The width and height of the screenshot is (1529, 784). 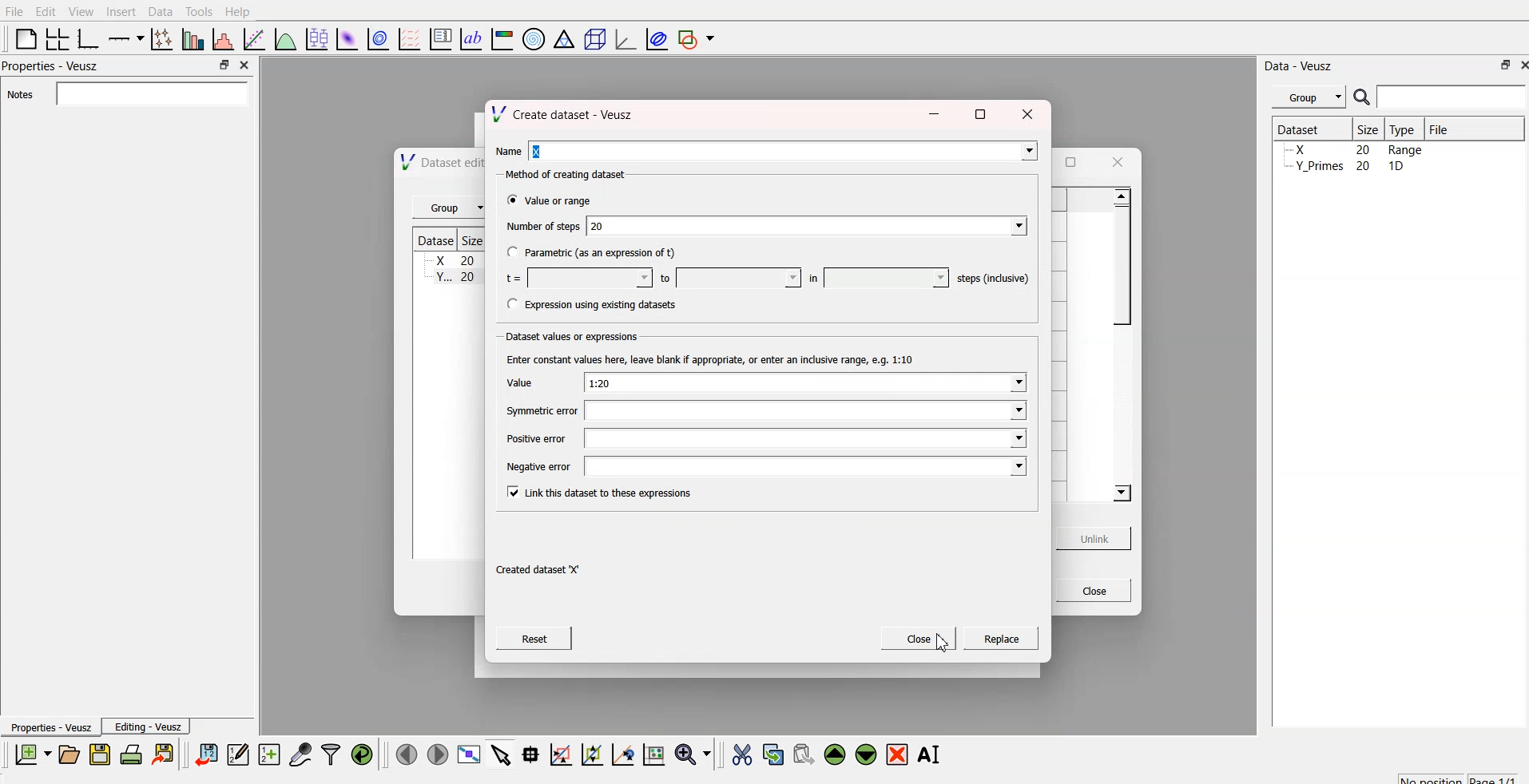 What do you see at coordinates (30, 754) in the screenshot?
I see `new document` at bounding box center [30, 754].